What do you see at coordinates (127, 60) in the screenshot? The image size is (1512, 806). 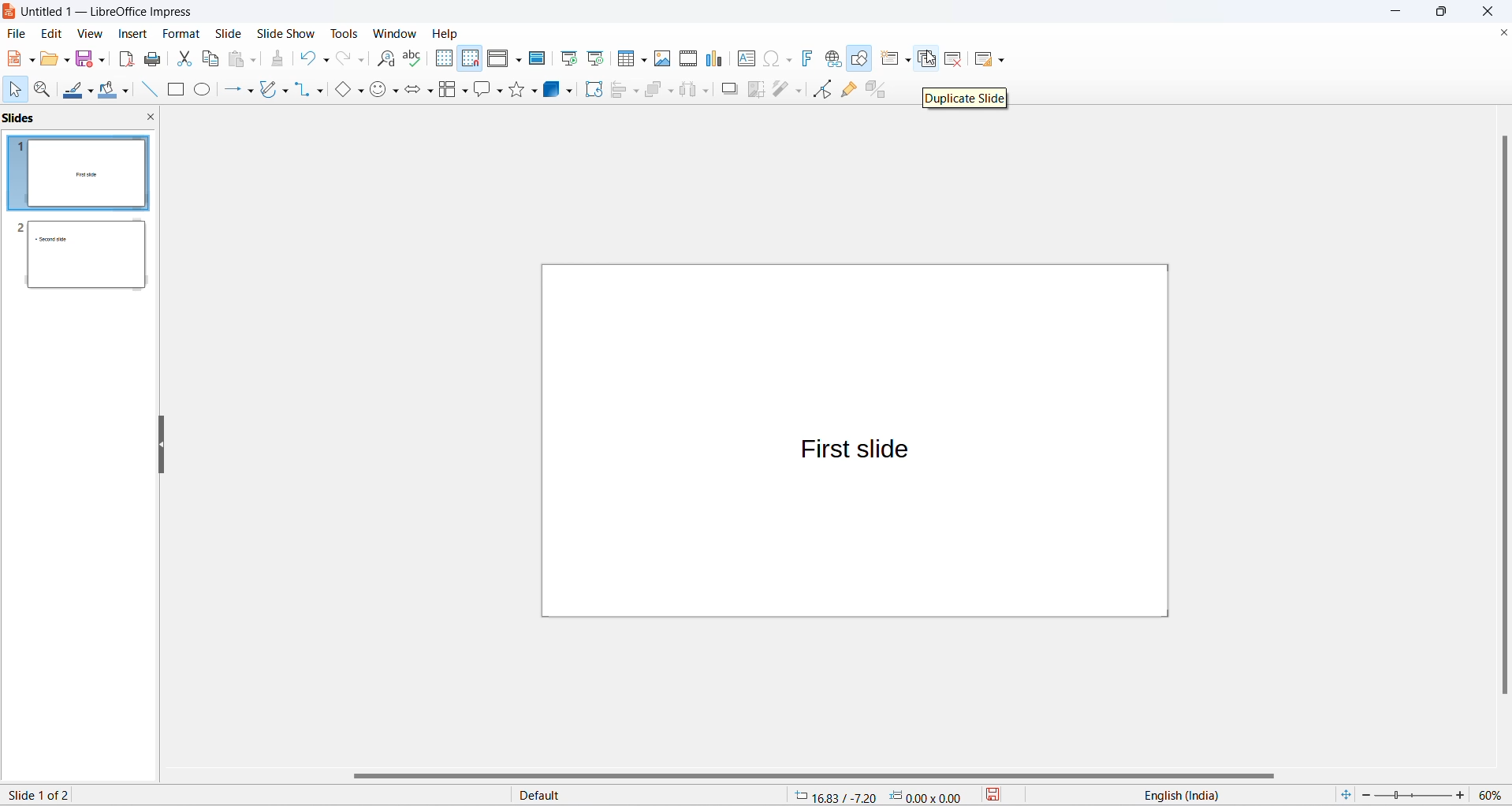 I see `export as pdf` at bounding box center [127, 60].